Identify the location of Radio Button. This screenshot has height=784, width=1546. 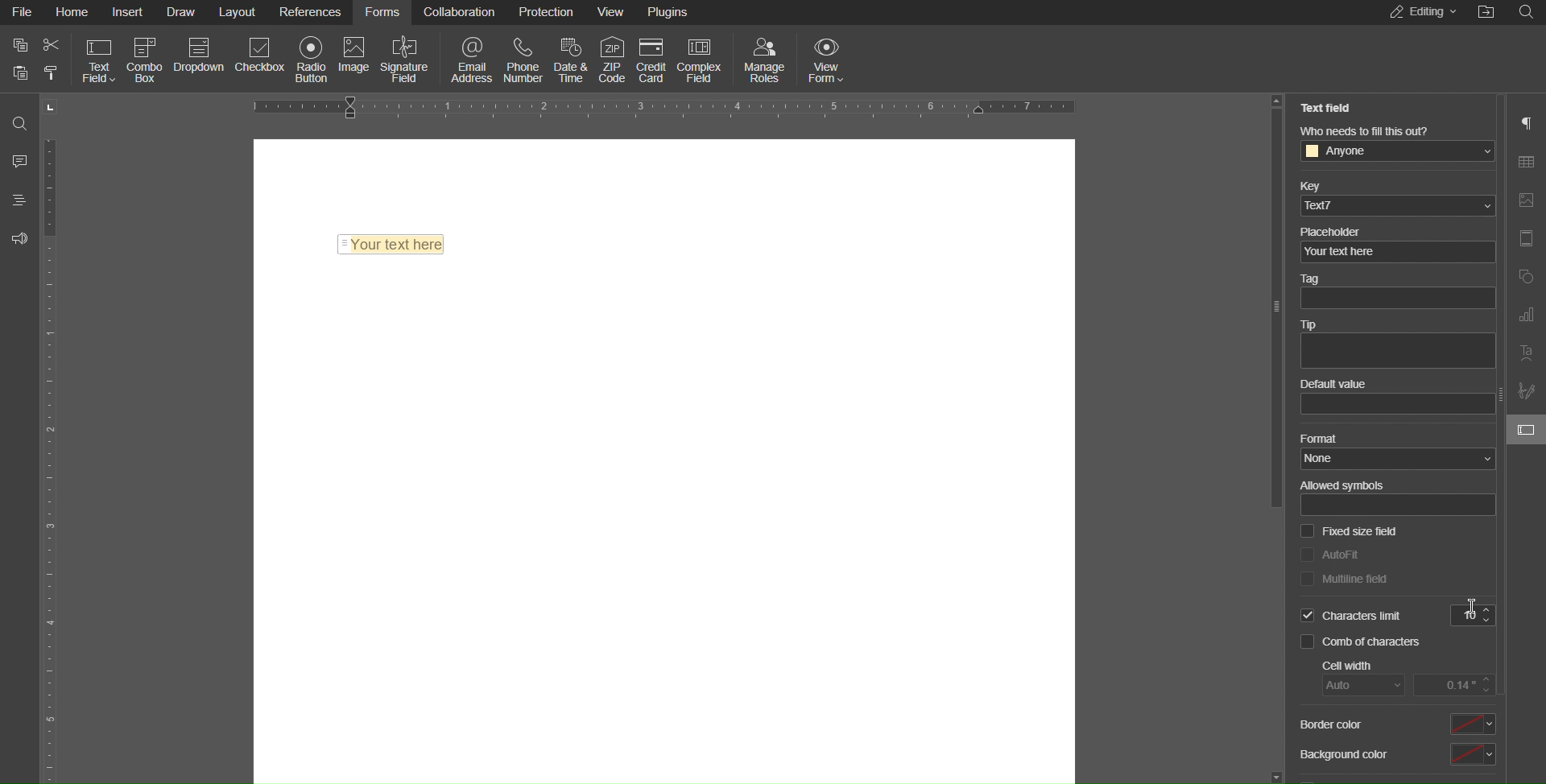
(312, 59).